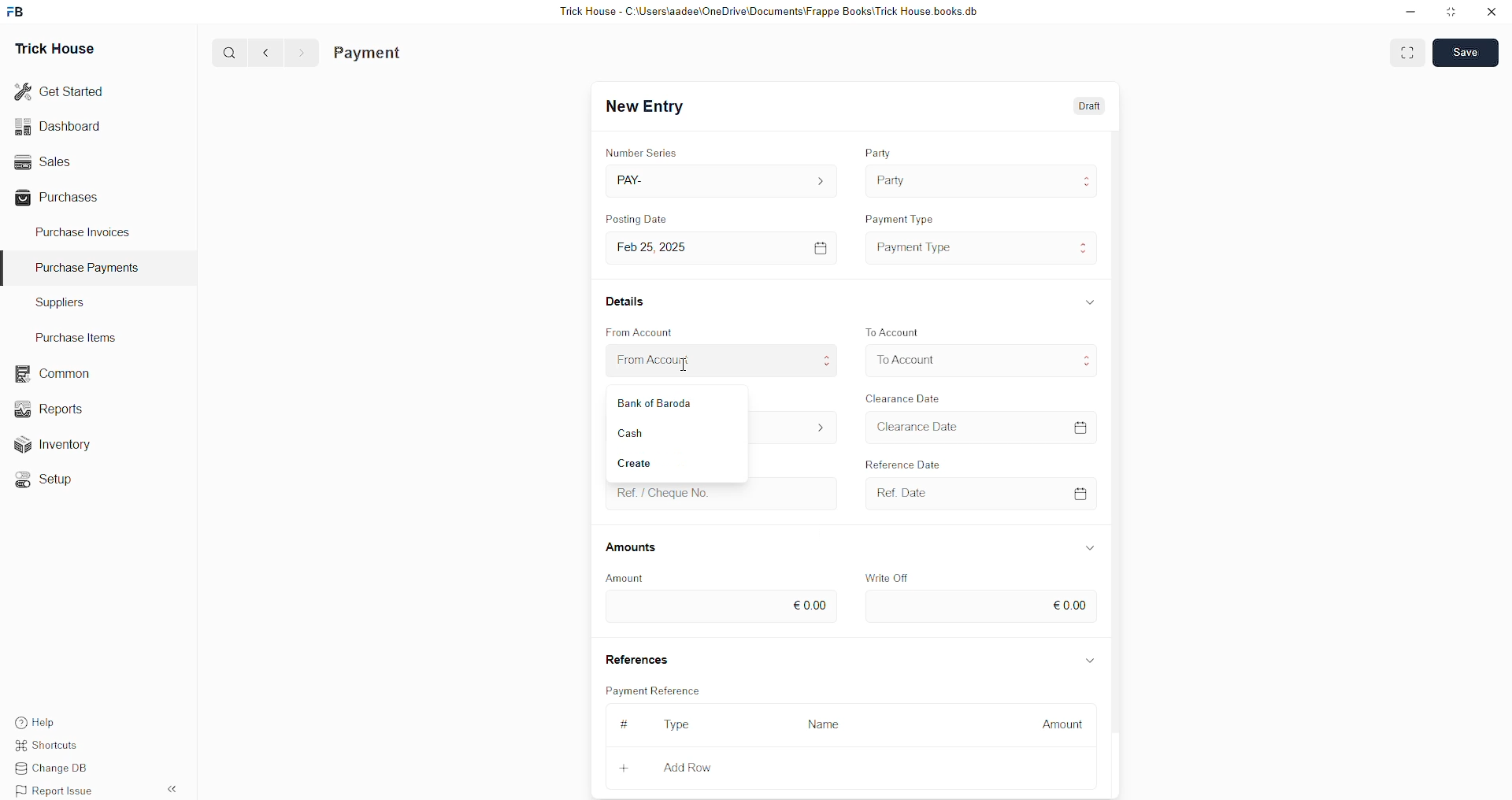 The height and width of the screenshot is (800, 1512). I want to click on cursor, so click(689, 367).